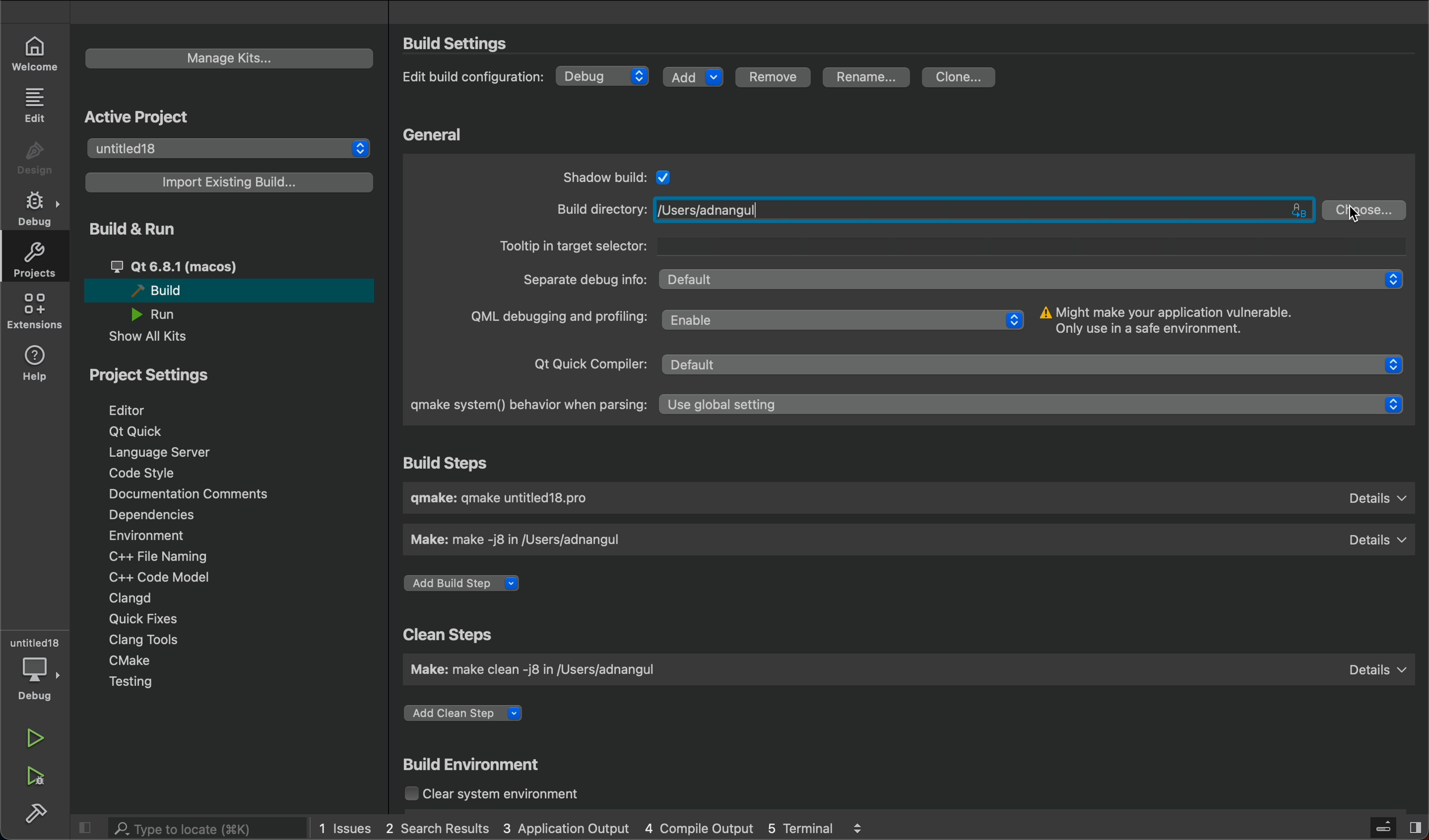 This screenshot has width=1429, height=840. What do you see at coordinates (479, 710) in the screenshot?
I see `add clean step` at bounding box center [479, 710].